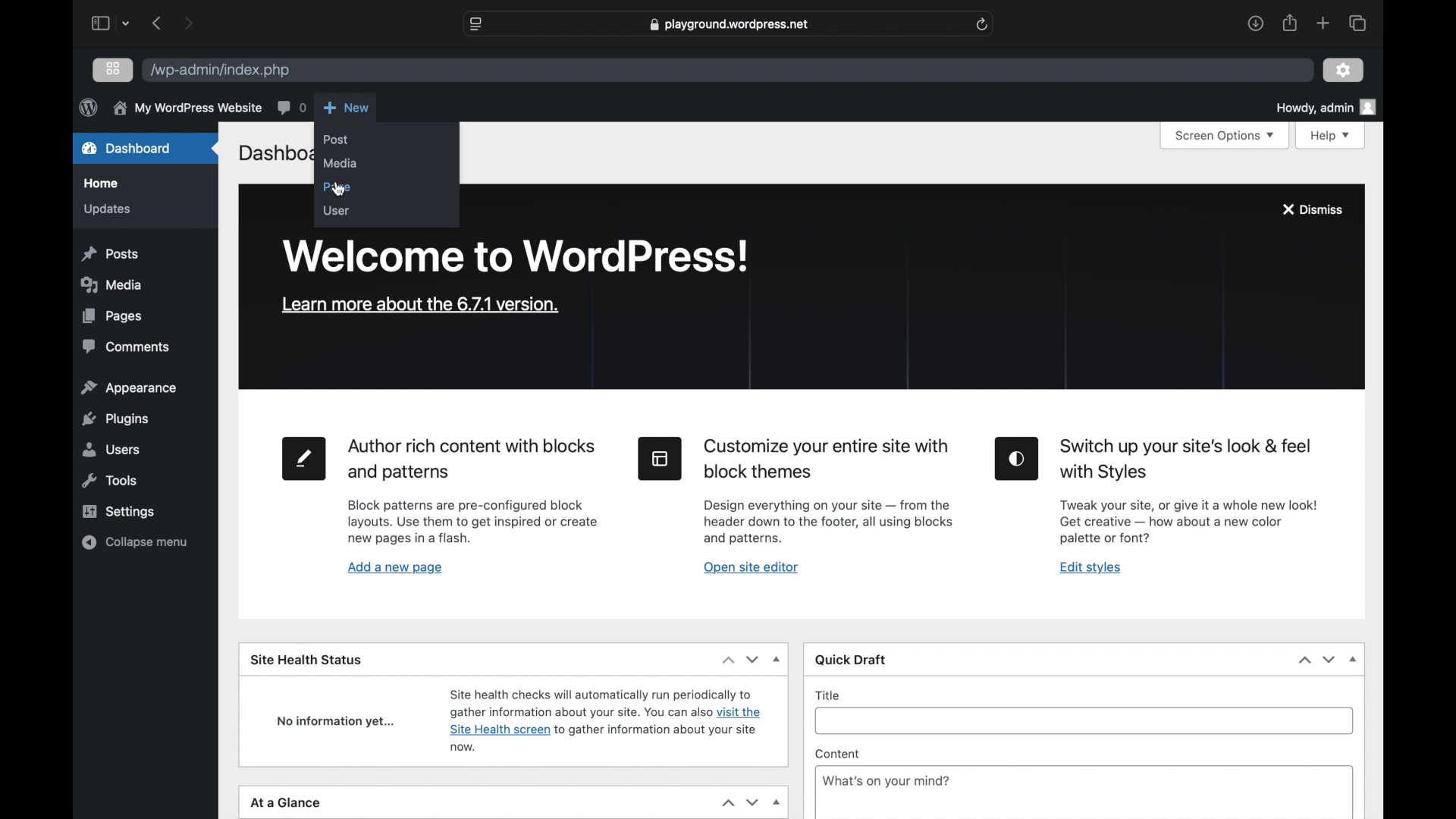 Image resolution: width=1456 pixels, height=819 pixels. I want to click on new tab, so click(1323, 24).